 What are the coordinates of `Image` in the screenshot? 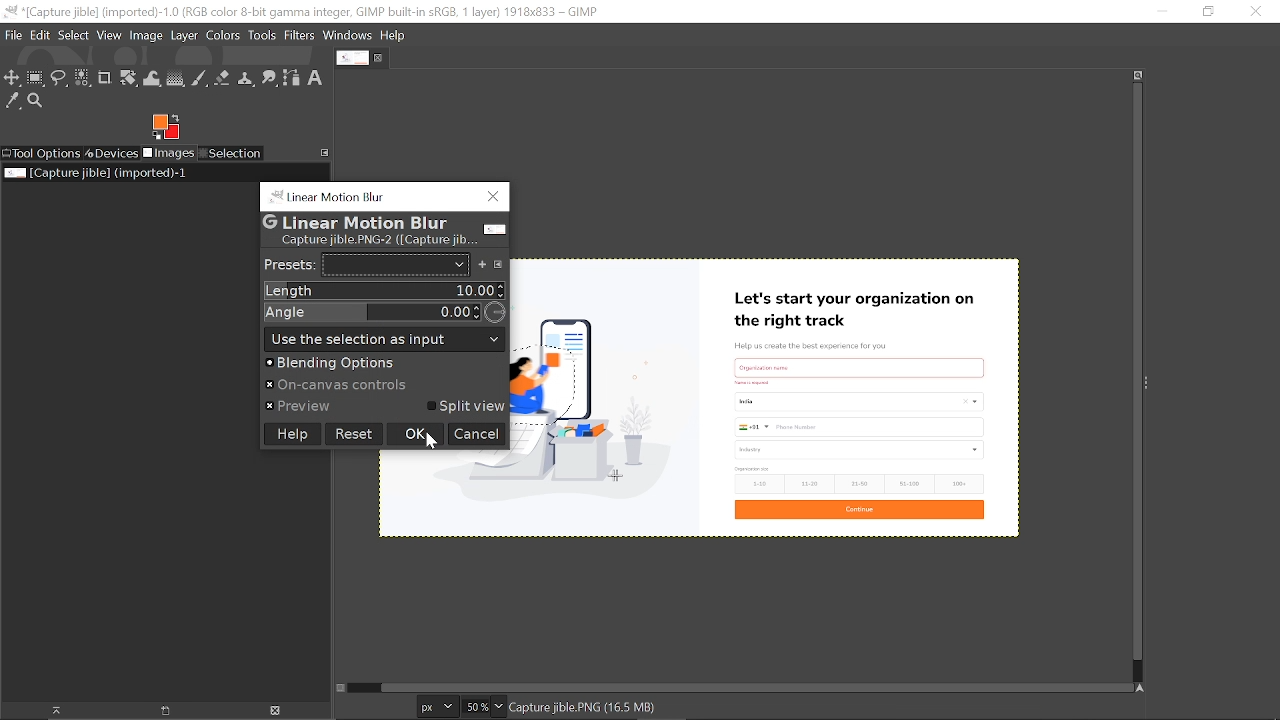 It's located at (146, 34).